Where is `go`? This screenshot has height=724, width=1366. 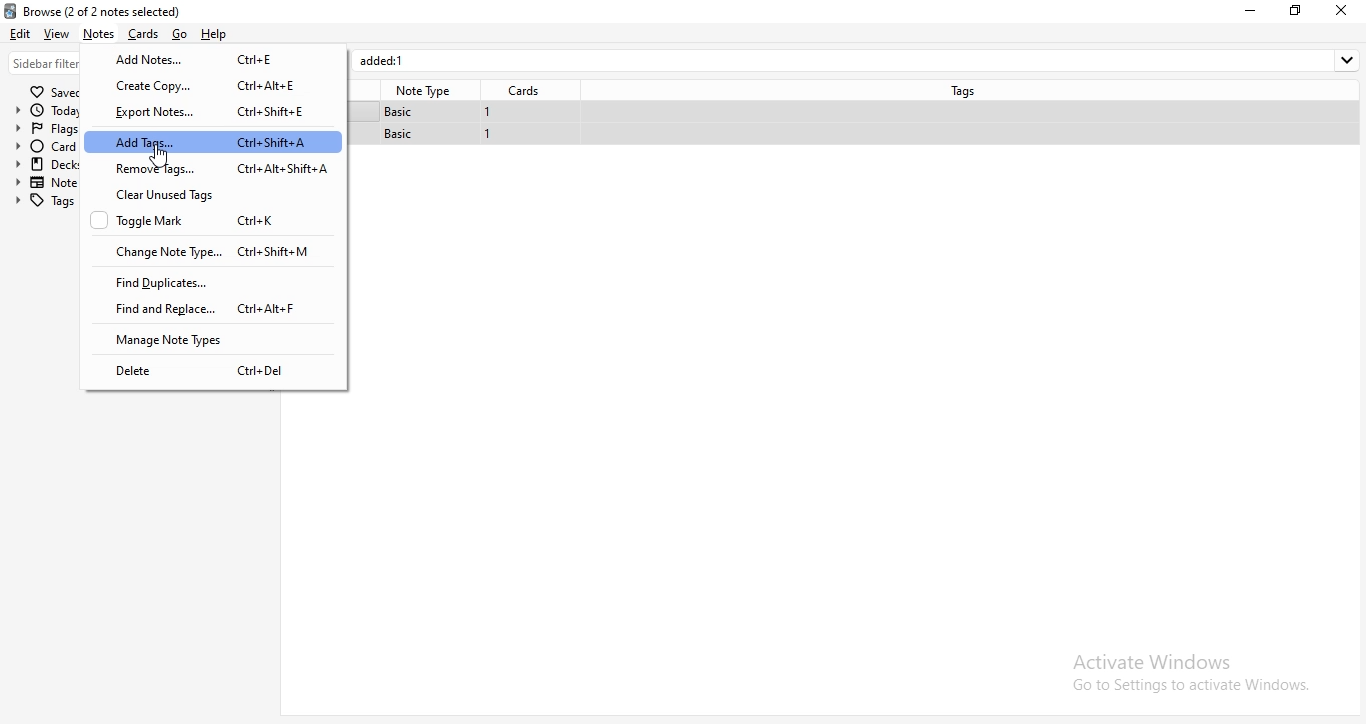 go is located at coordinates (178, 35).